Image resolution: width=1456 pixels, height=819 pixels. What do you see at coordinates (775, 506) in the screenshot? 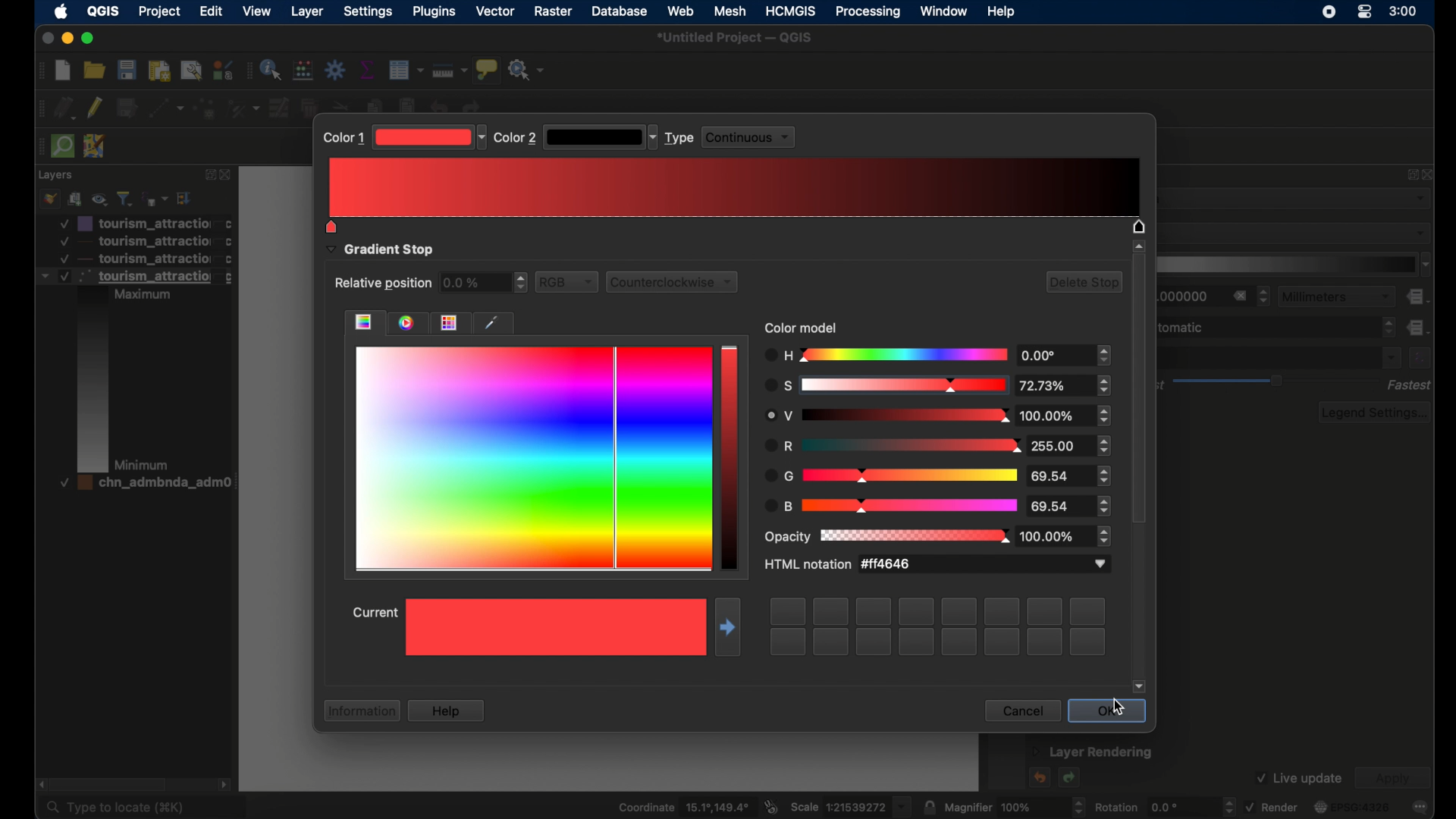
I see `B` at bounding box center [775, 506].